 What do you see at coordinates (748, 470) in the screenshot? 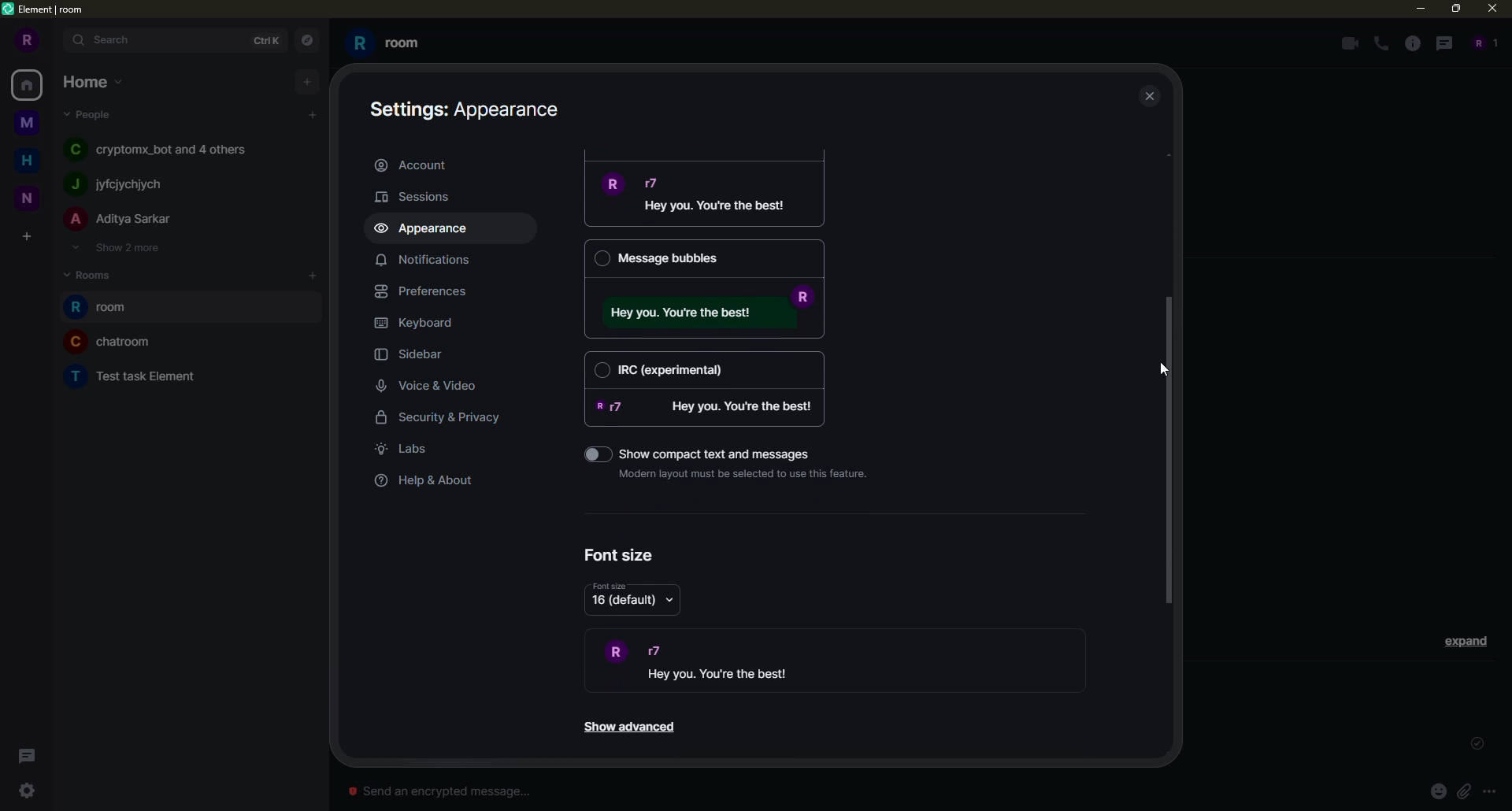
I see `Modern layout must be selected to use this feature.` at bounding box center [748, 470].